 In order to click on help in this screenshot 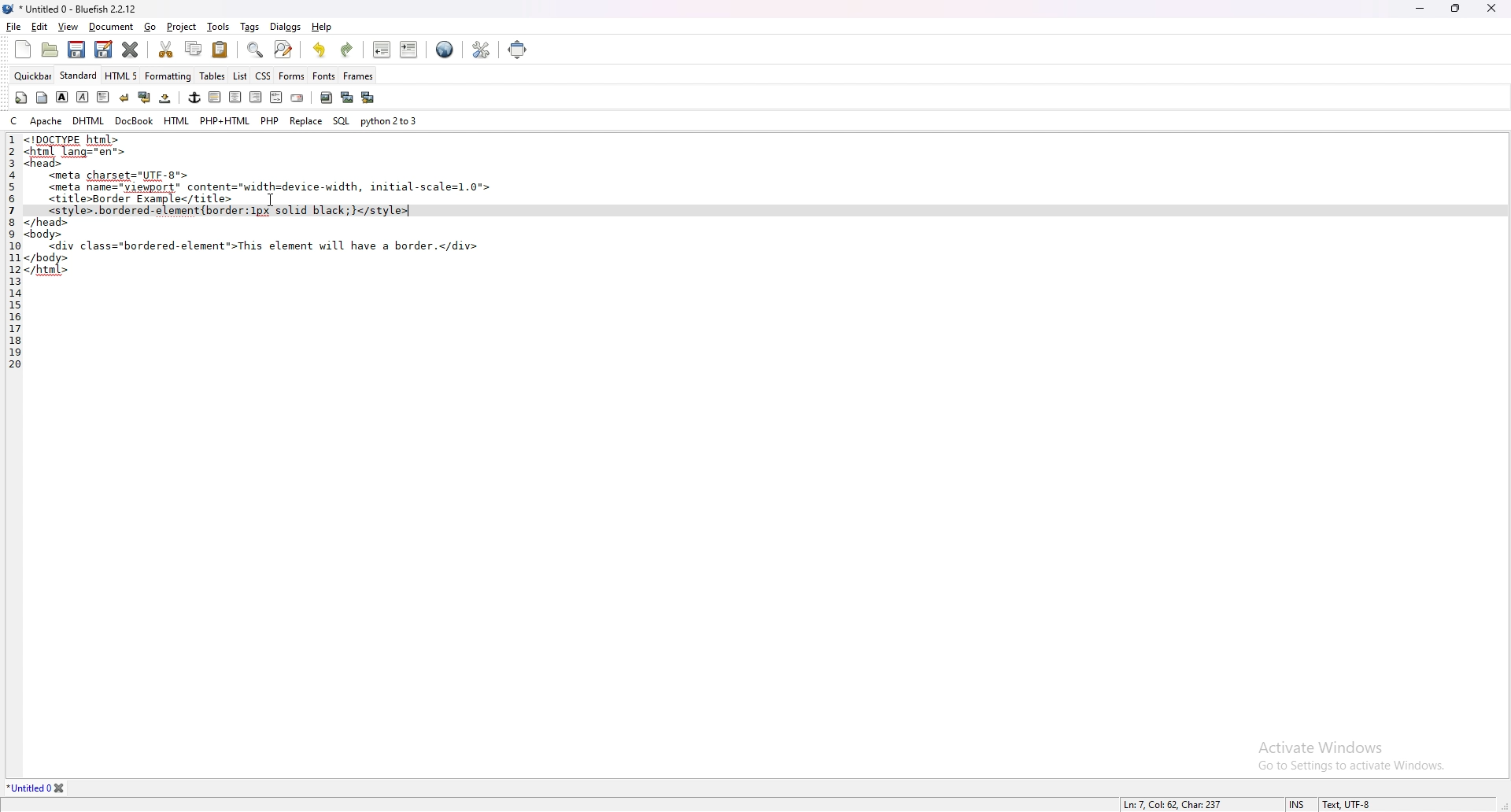, I will do `click(323, 26)`.